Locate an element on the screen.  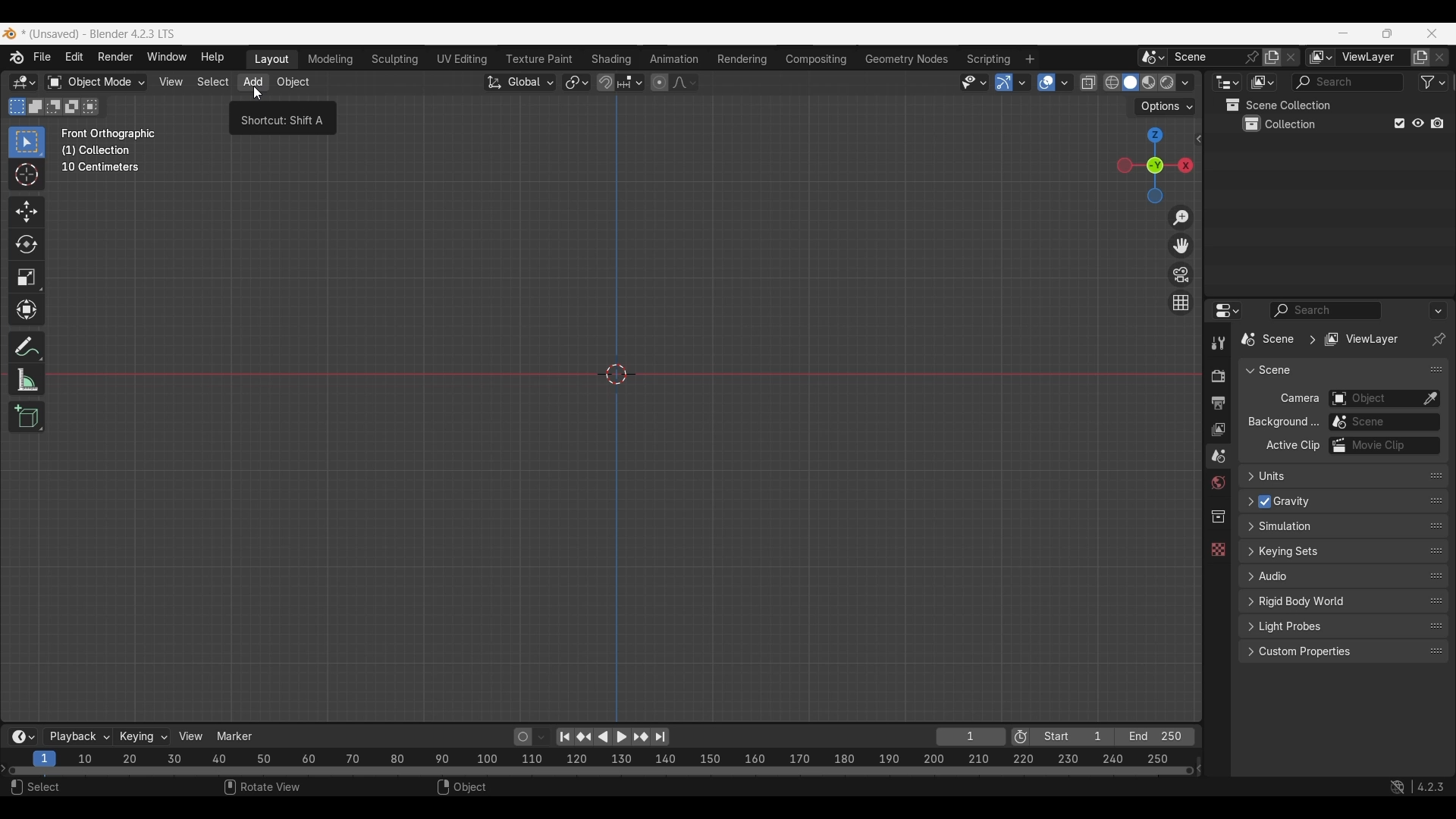
Change order in the list is located at coordinates (1437, 601).